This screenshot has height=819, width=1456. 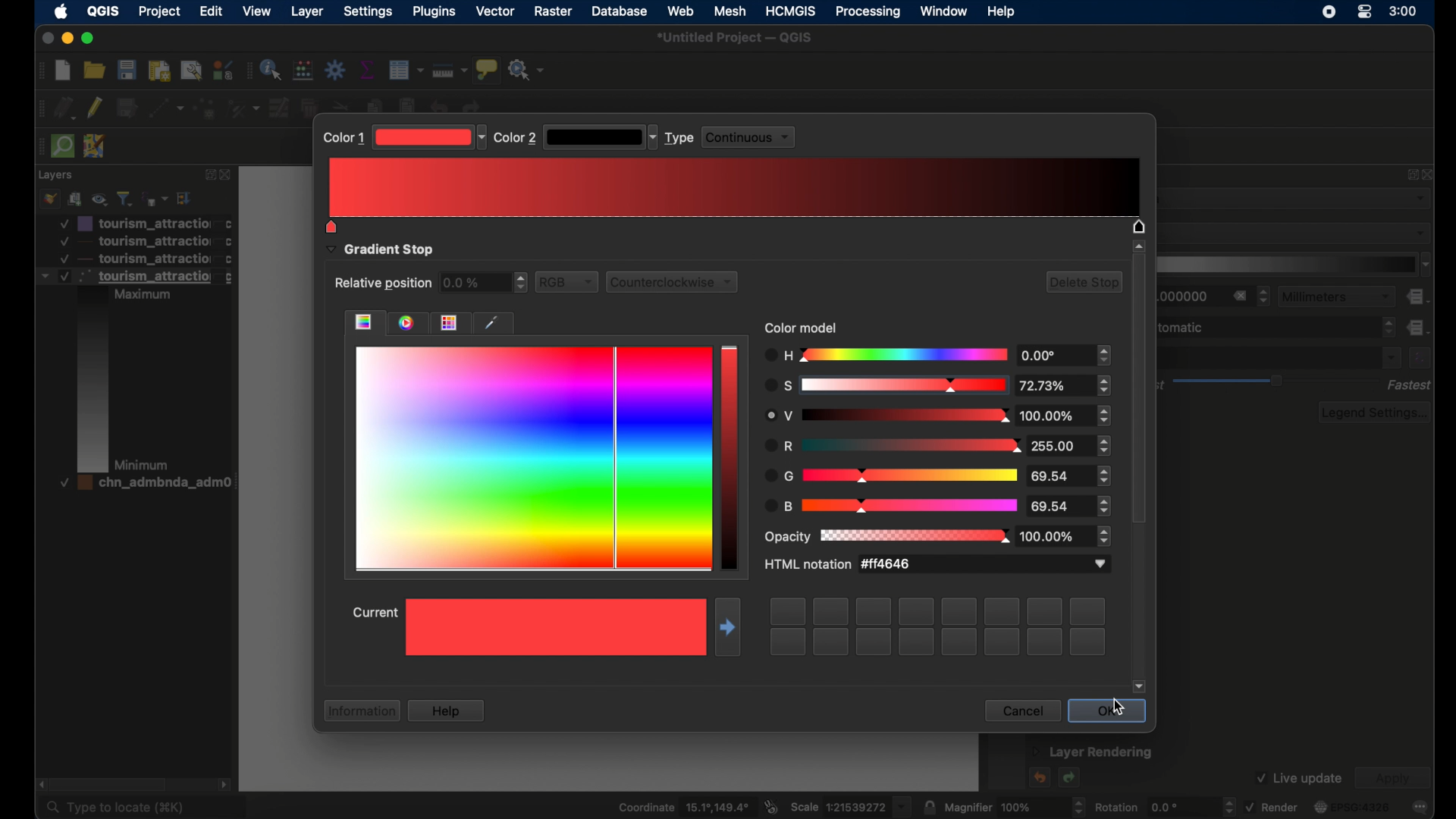 I want to click on legend settings, so click(x=1376, y=413).